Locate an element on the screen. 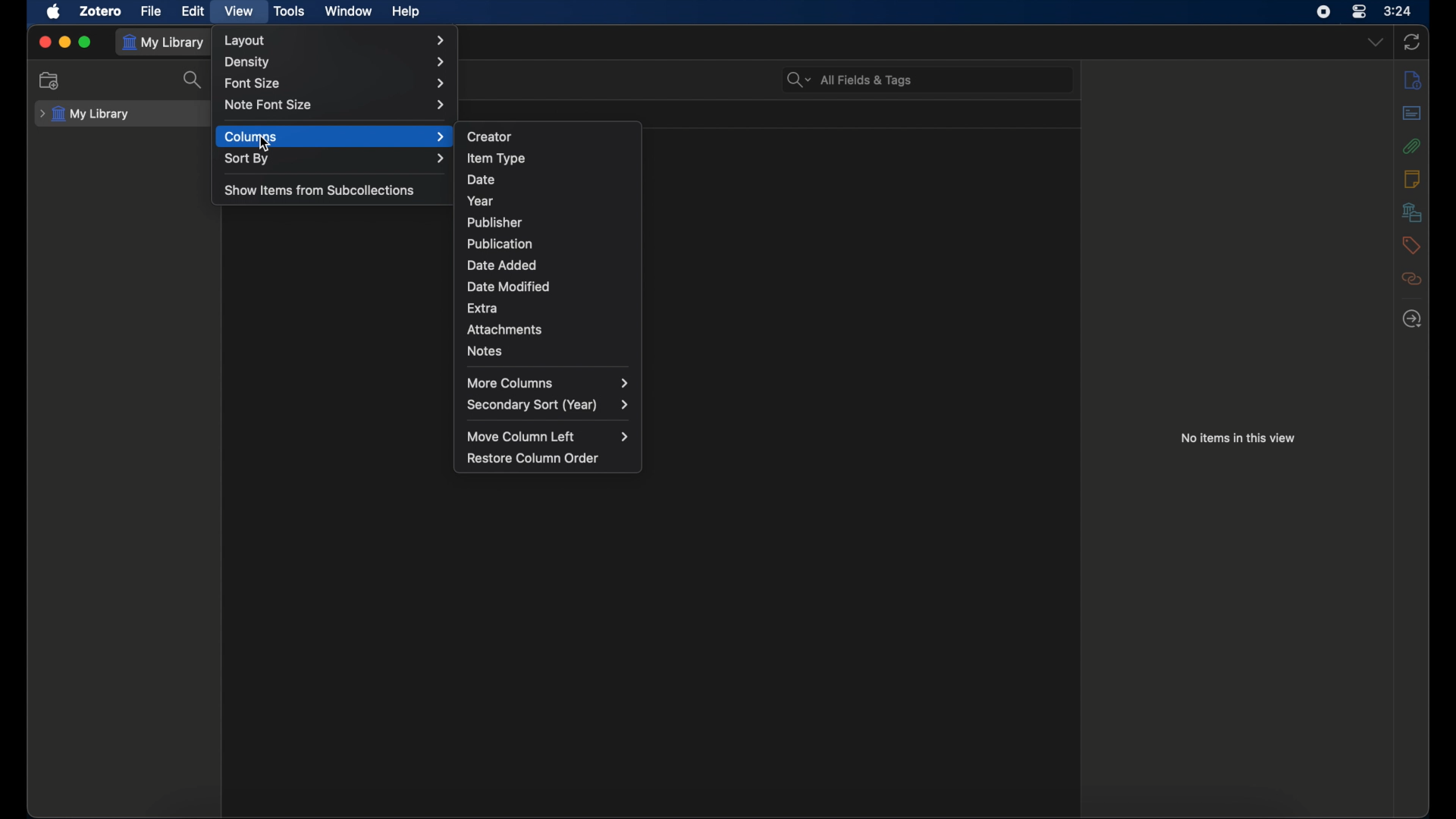 The image size is (1456, 819). notes is located at coordinates (1412, 178).